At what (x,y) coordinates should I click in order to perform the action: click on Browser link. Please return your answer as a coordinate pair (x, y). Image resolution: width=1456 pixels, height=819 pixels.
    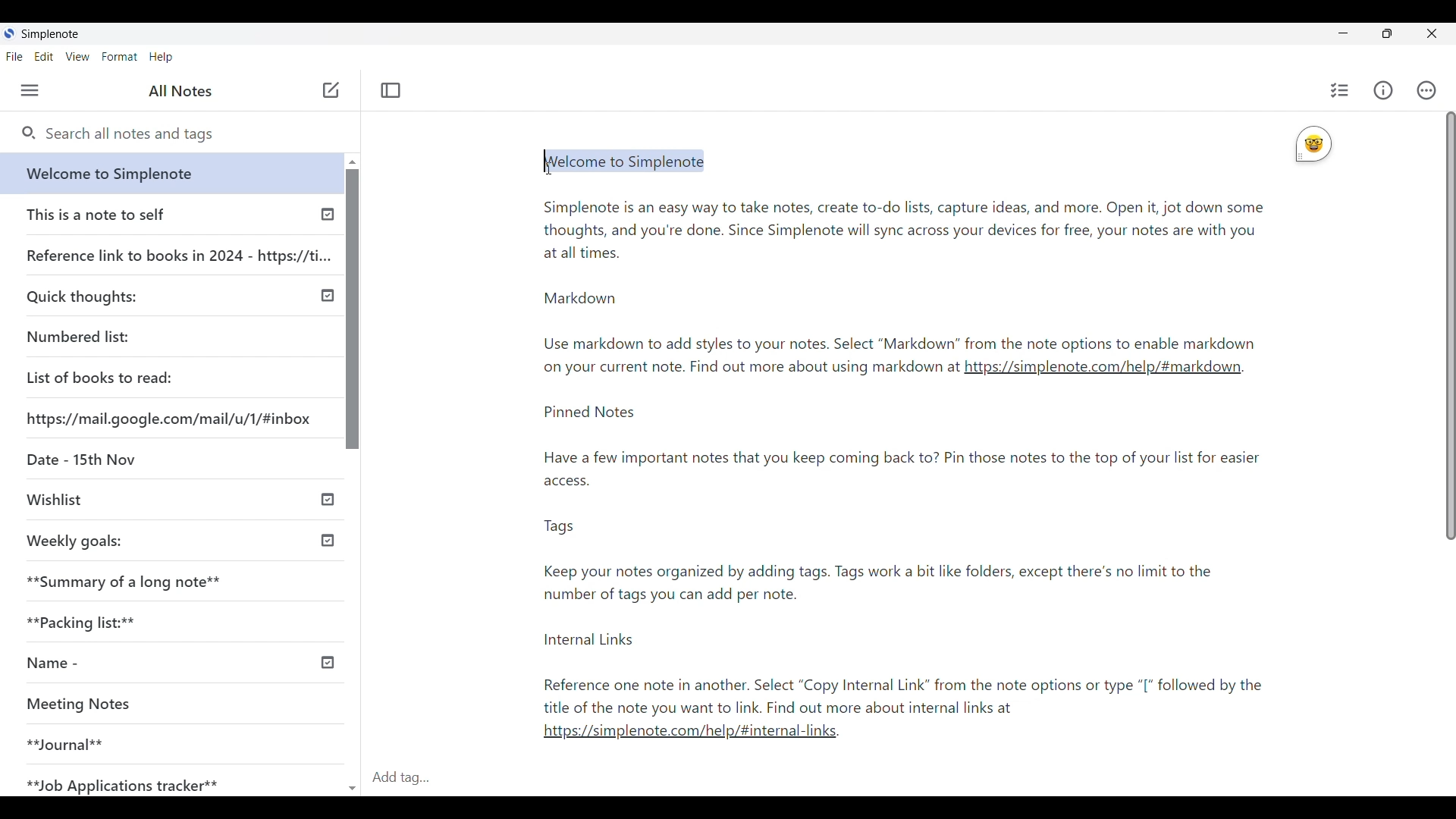
    Looking at the image, I should click on (168, 419).